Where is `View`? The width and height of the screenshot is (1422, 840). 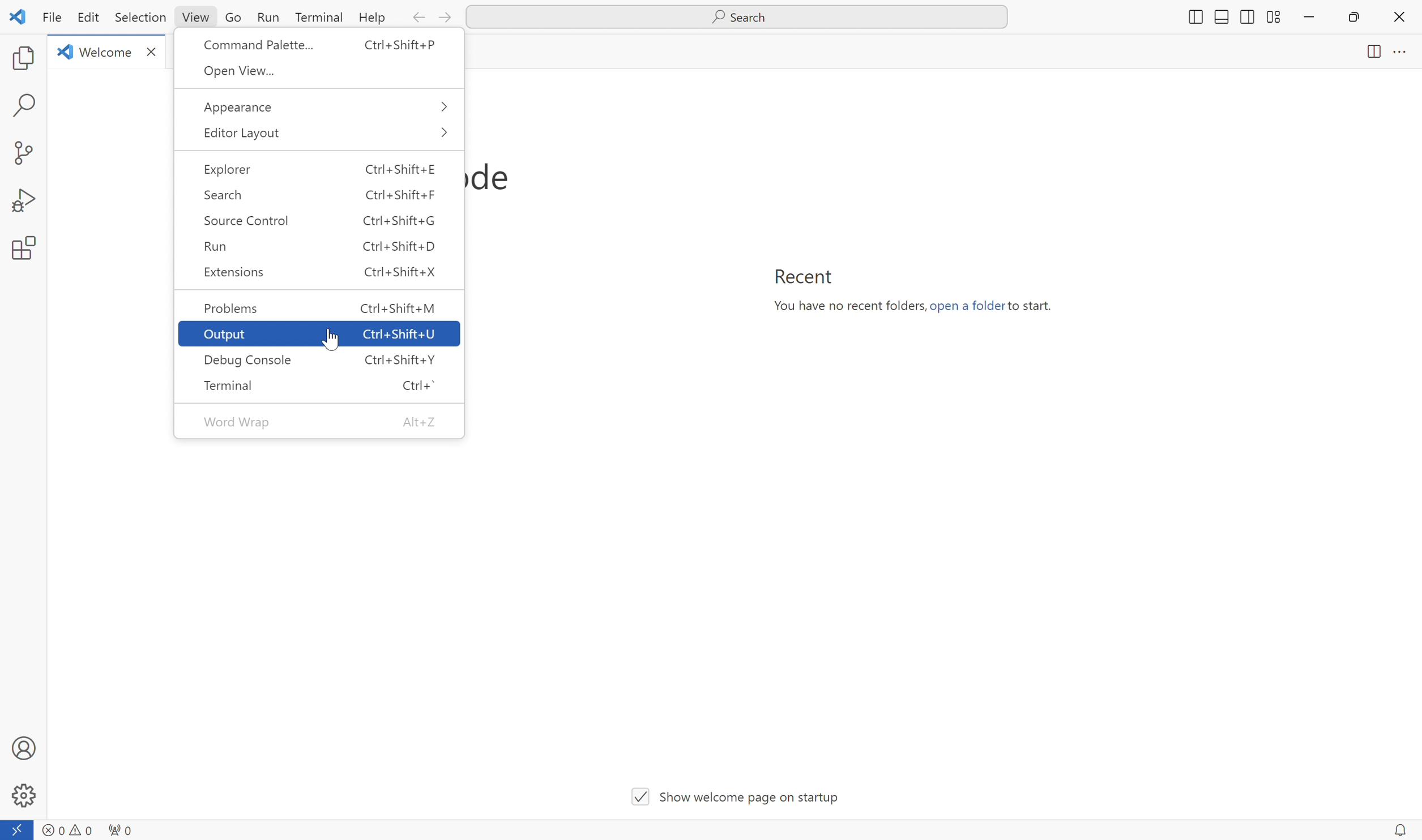 View is located at coordinates (196, 19).